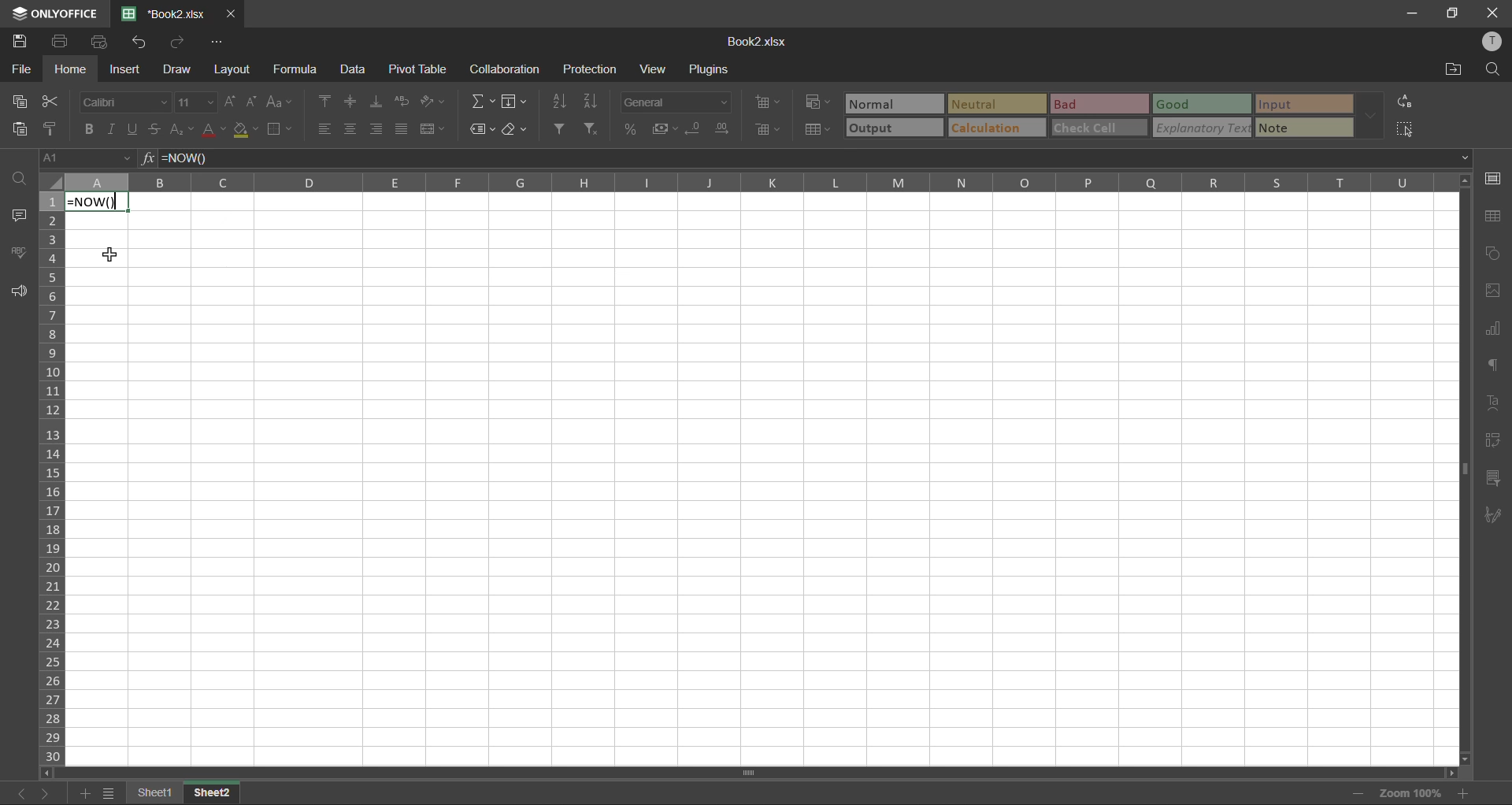  What do you see at coordinates (255, 103) in the screenshot?
I see `decrement size` at bounding box center [255, 103].